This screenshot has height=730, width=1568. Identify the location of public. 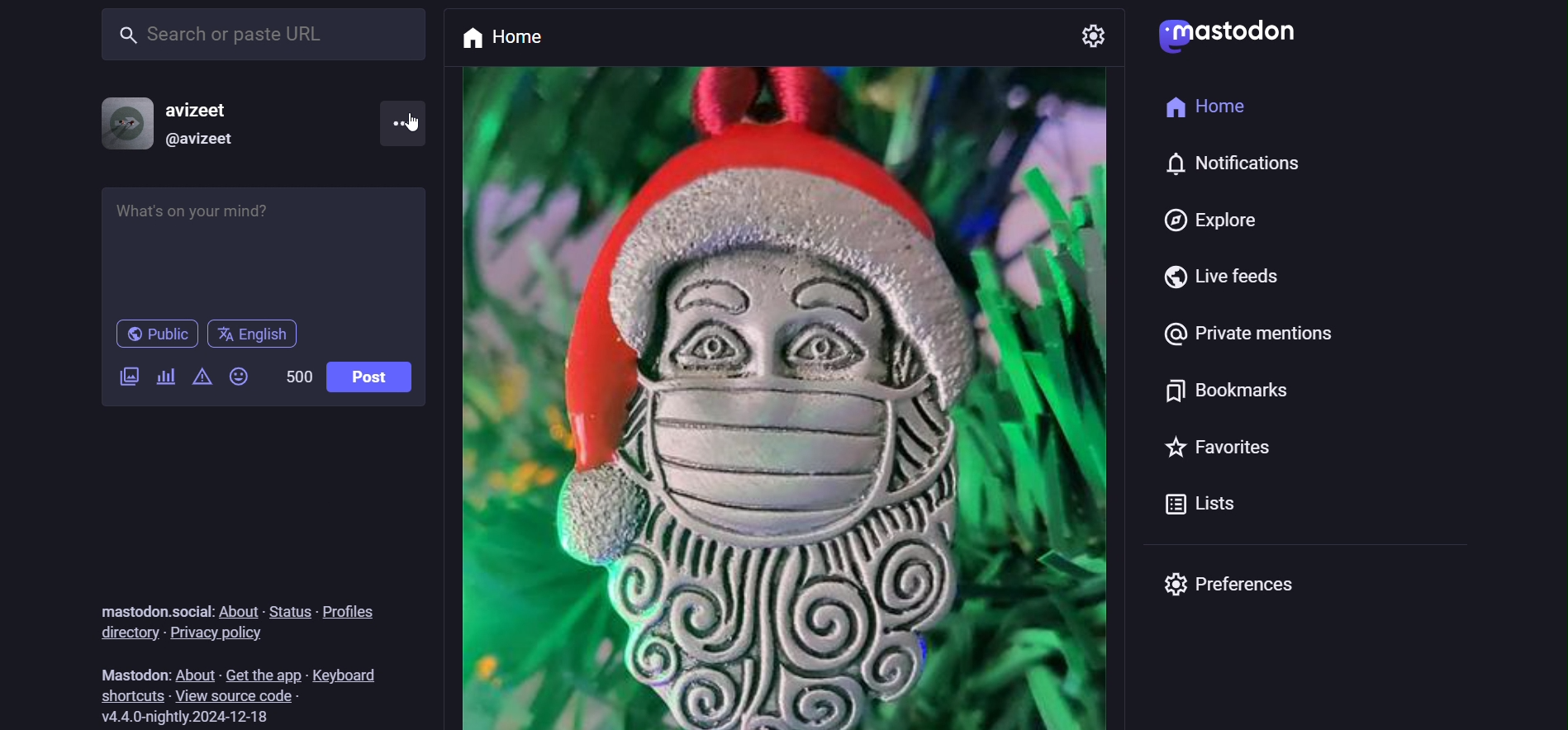
(152, 334).